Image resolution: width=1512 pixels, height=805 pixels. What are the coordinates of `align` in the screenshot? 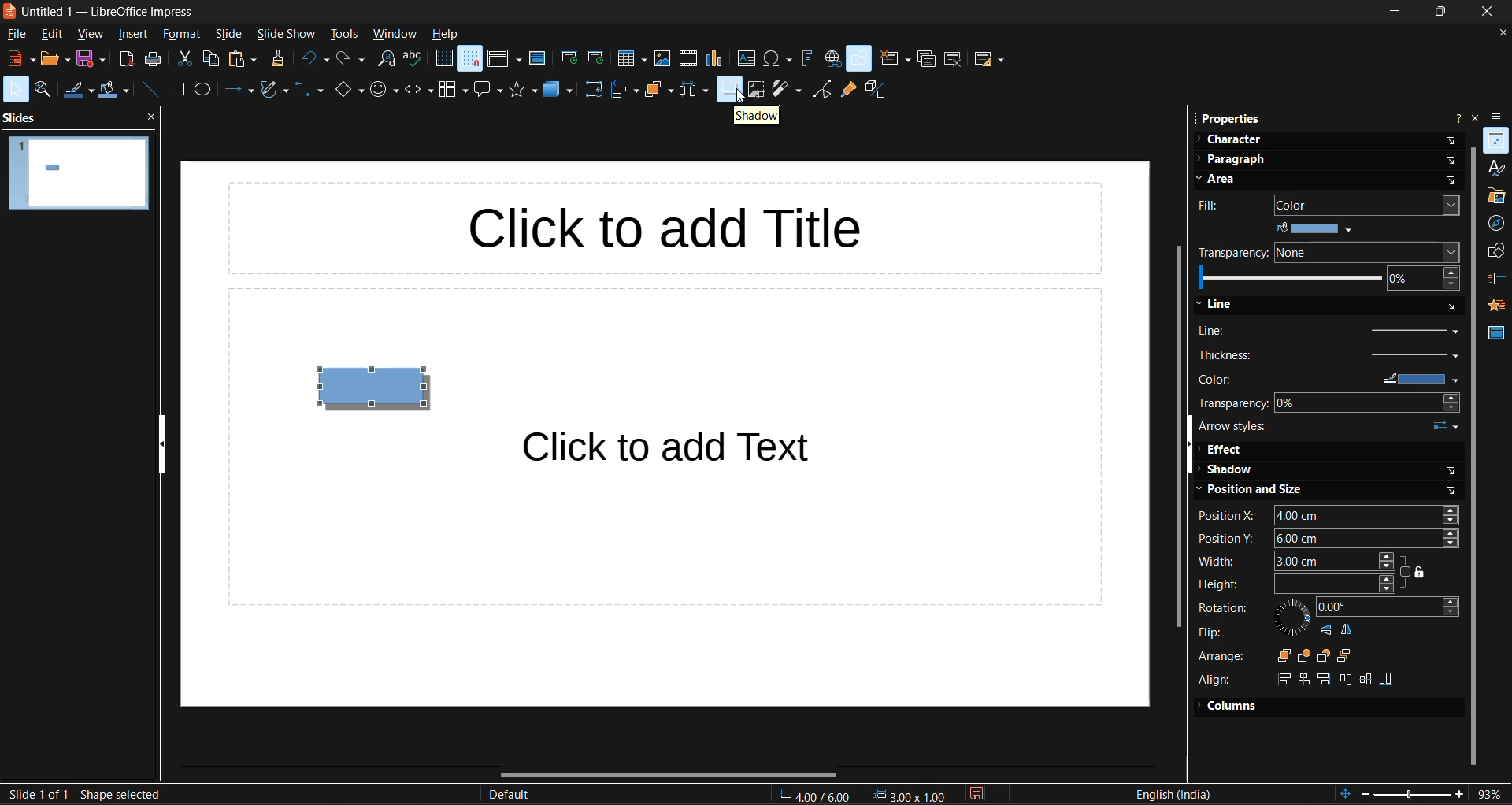 It's located at (1217, 680).